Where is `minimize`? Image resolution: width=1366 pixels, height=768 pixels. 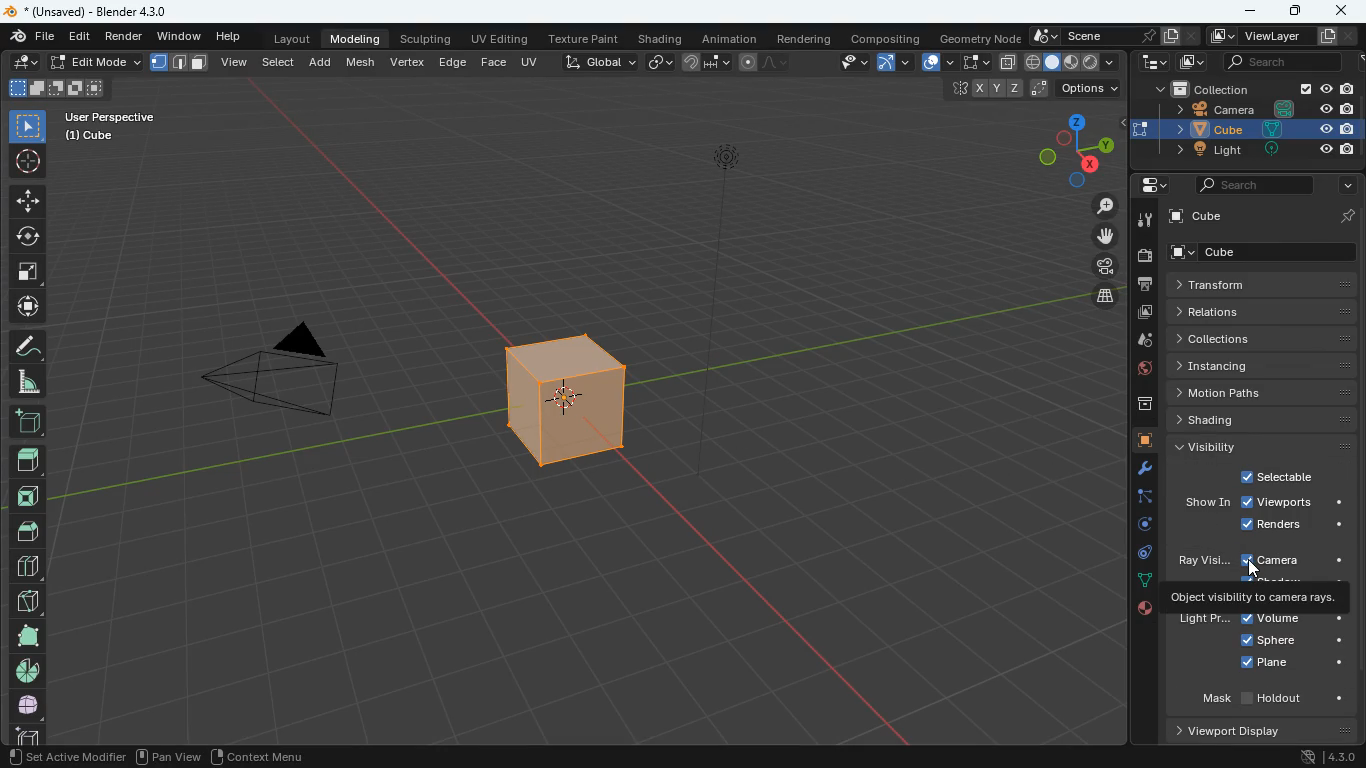 minimize is located at coordinates (1254, 11).